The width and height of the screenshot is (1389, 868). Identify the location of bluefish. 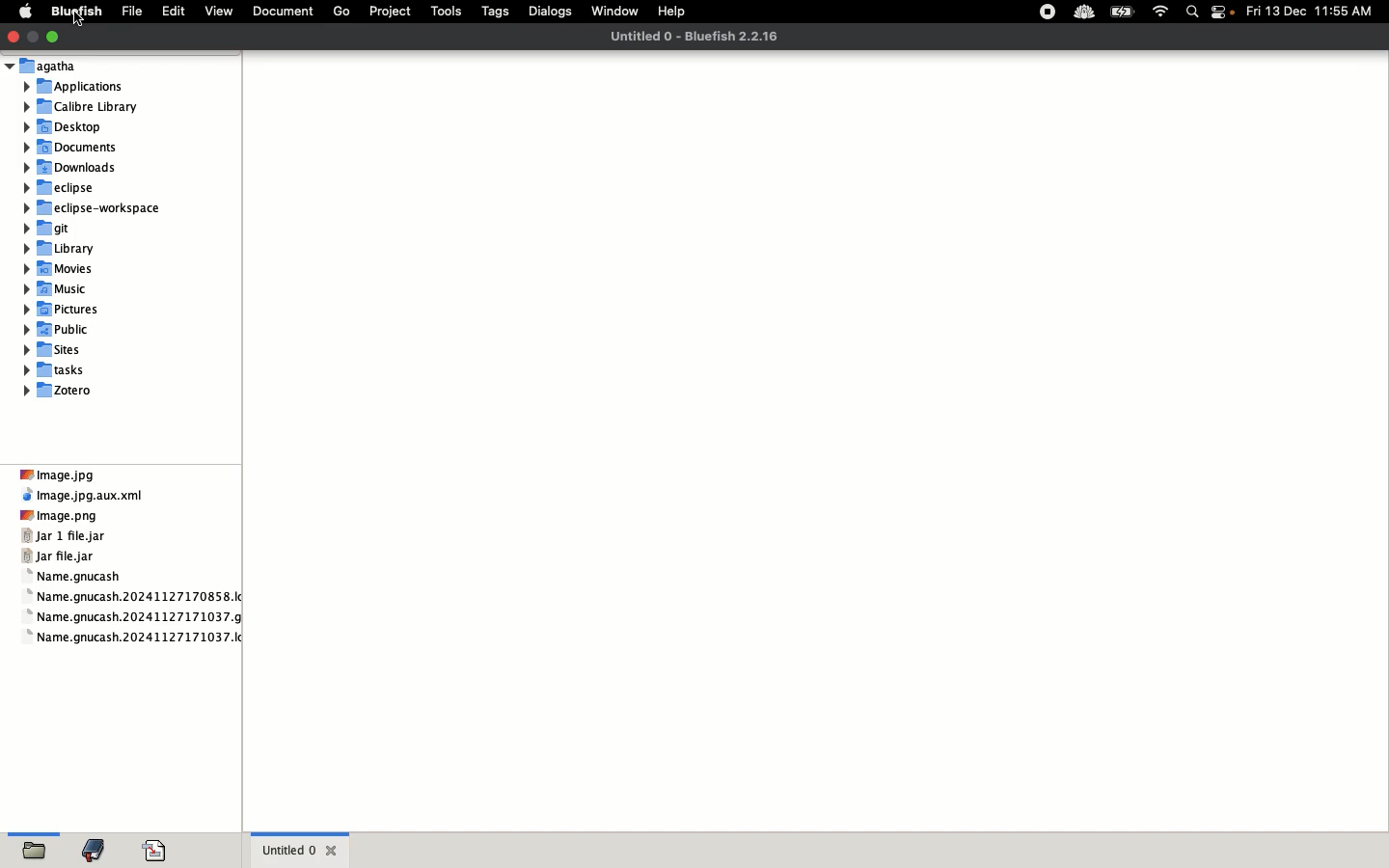
(73, 13).